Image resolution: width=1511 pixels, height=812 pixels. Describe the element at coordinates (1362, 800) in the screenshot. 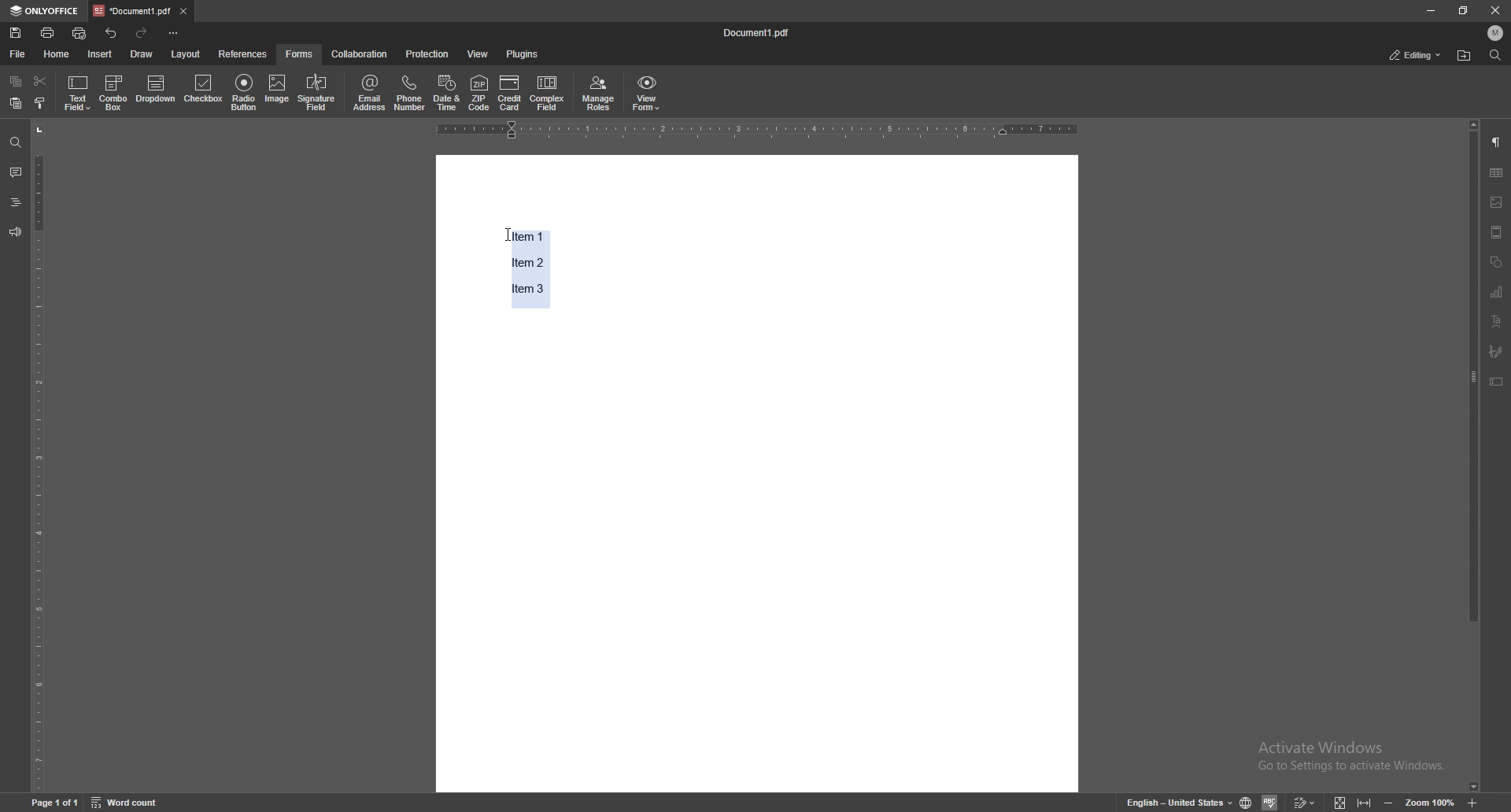

I see `fit to width` at that location.